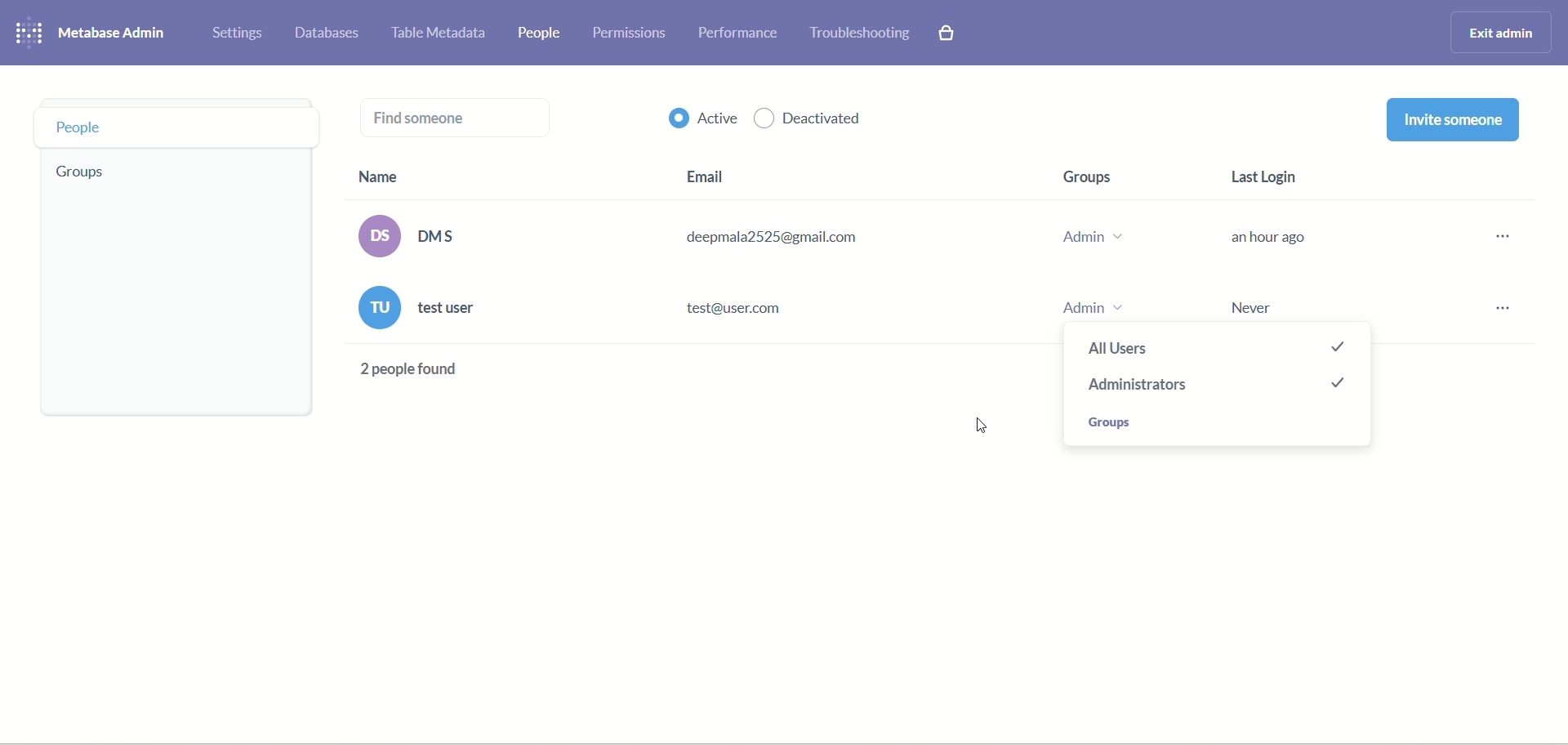 The width and height of the screenshot is (1568, 745). What do you see at coordinates (443, 34) in the screenshot?
I see `table meta` at bounding box center [443, 34].